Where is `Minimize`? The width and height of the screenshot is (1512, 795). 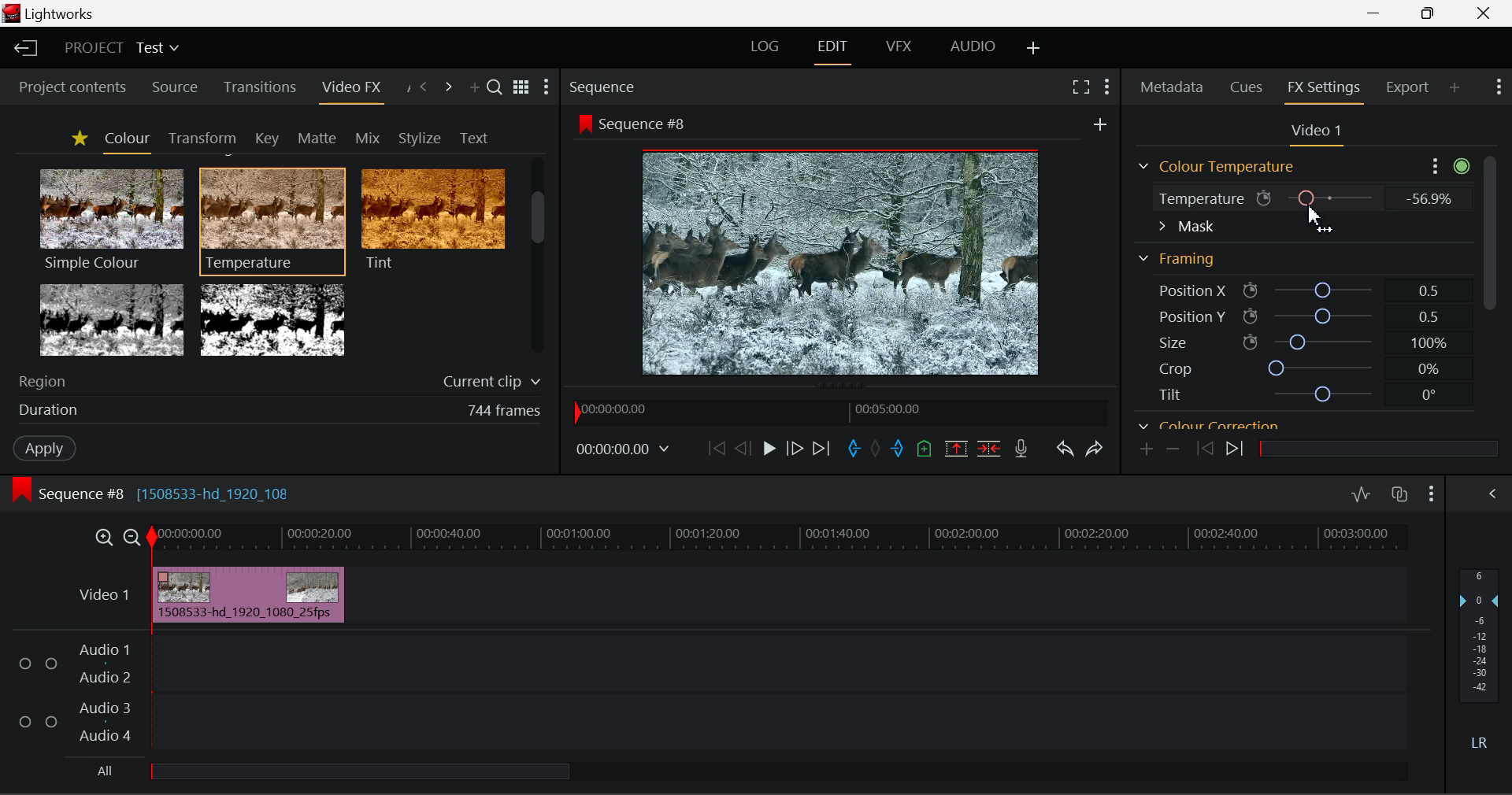
Minimize is located at coordinates (1428, 12).